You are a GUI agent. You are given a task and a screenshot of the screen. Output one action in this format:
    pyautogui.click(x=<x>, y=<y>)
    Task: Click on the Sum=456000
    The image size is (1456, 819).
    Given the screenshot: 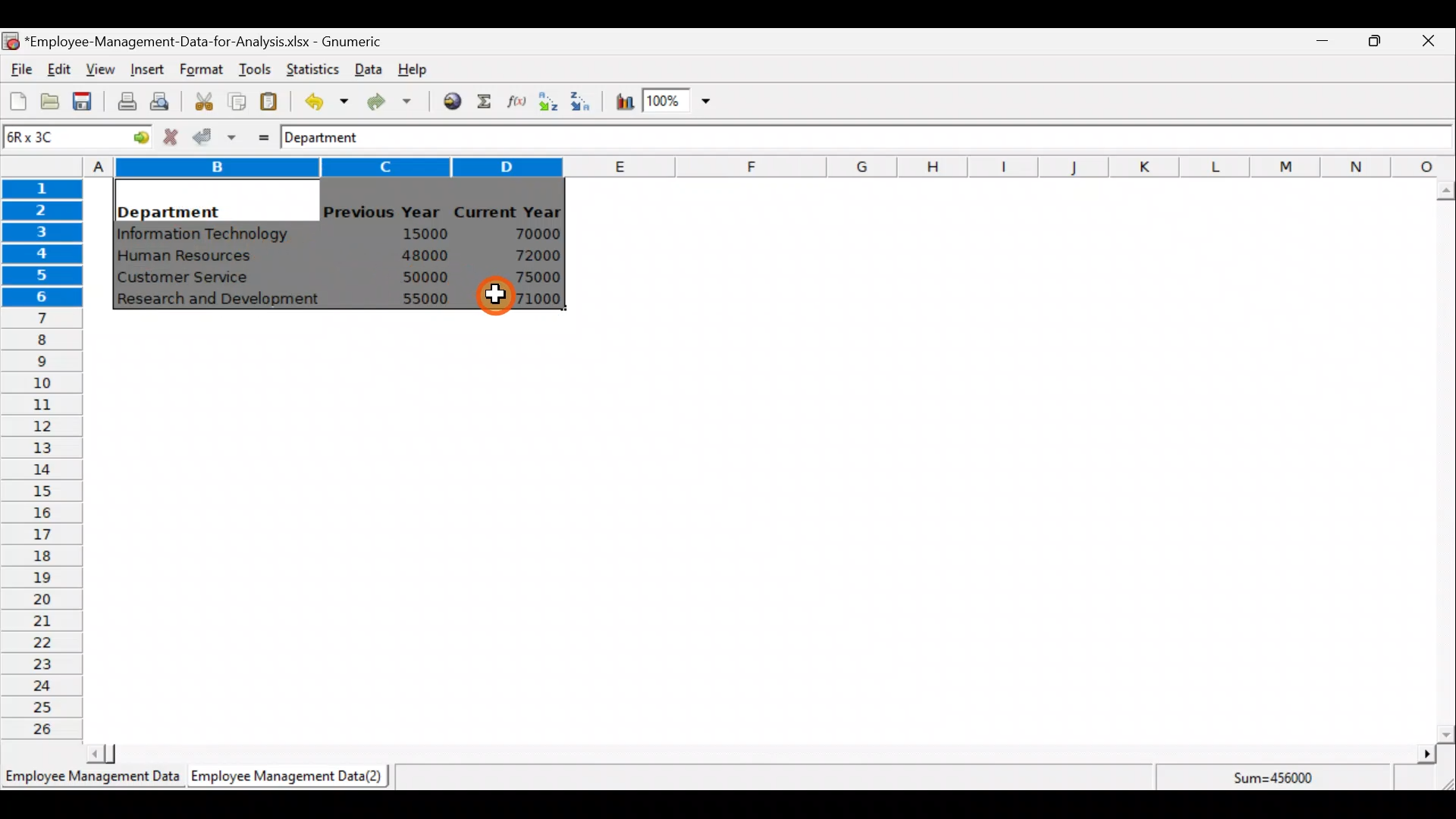 What is the action you would take?
    pyautogui.click(x=1282, y=780)
    